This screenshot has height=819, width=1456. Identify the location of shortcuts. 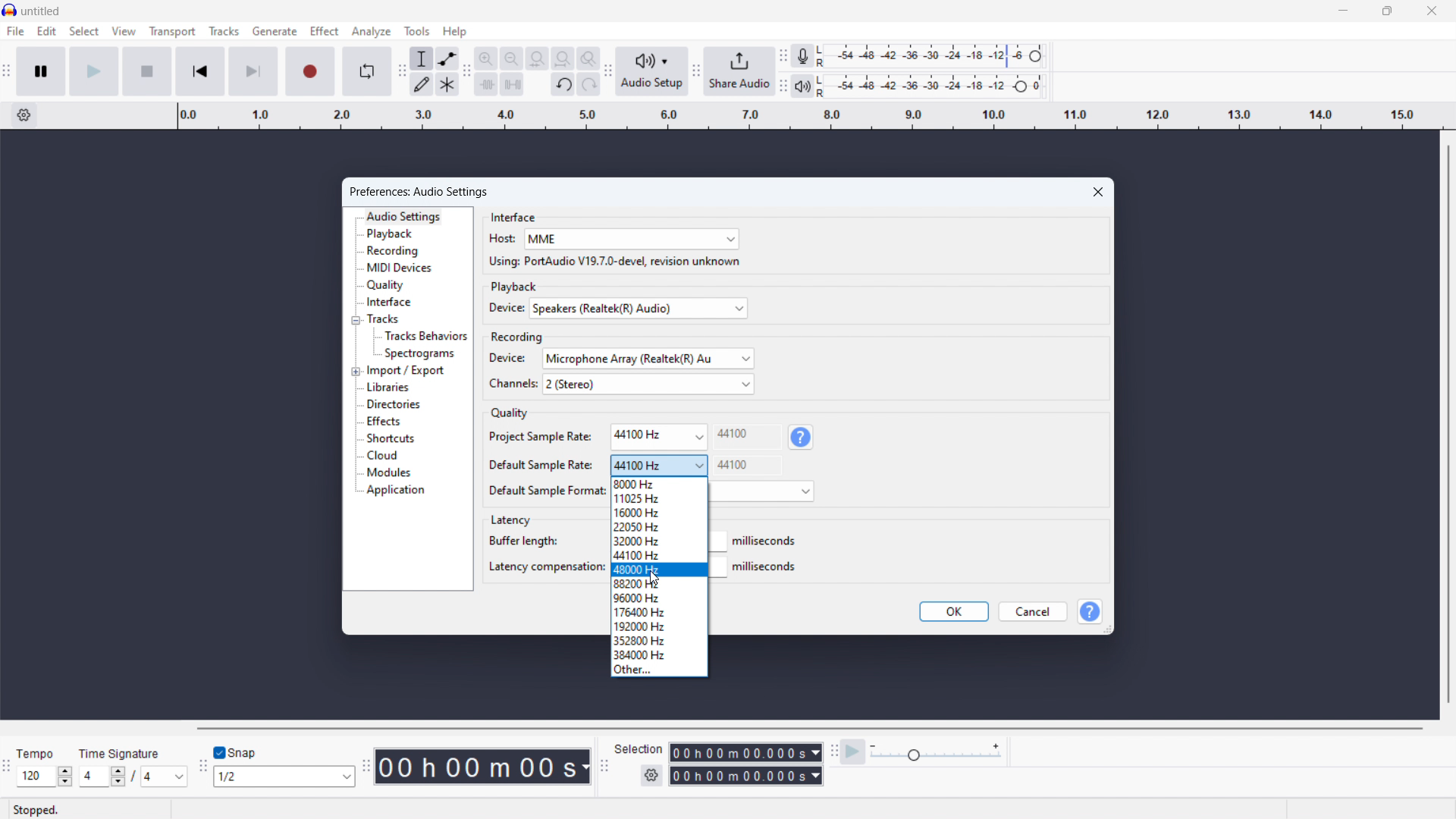
(390, 438).